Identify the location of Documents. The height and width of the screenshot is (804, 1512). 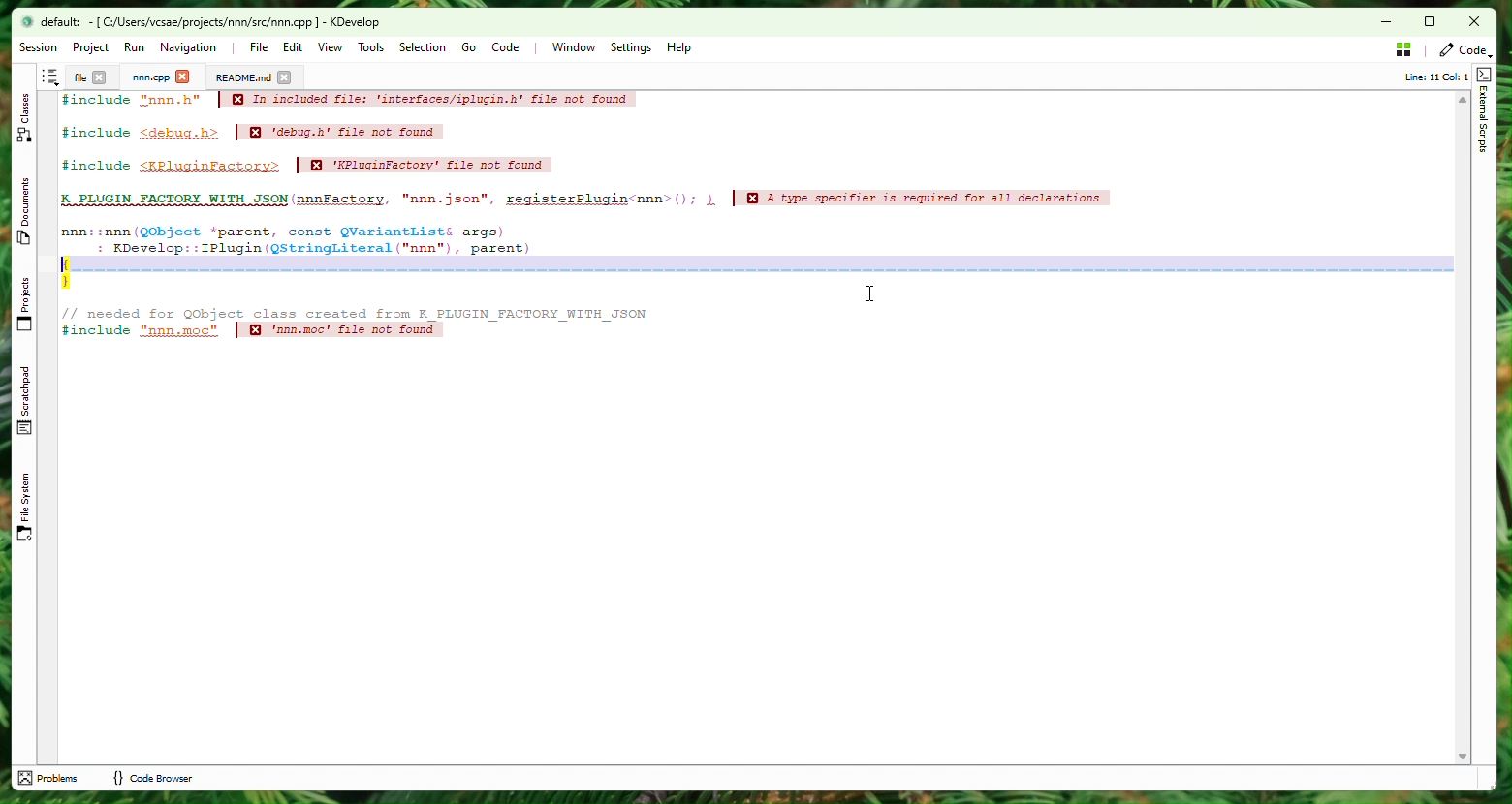
(27, 216).